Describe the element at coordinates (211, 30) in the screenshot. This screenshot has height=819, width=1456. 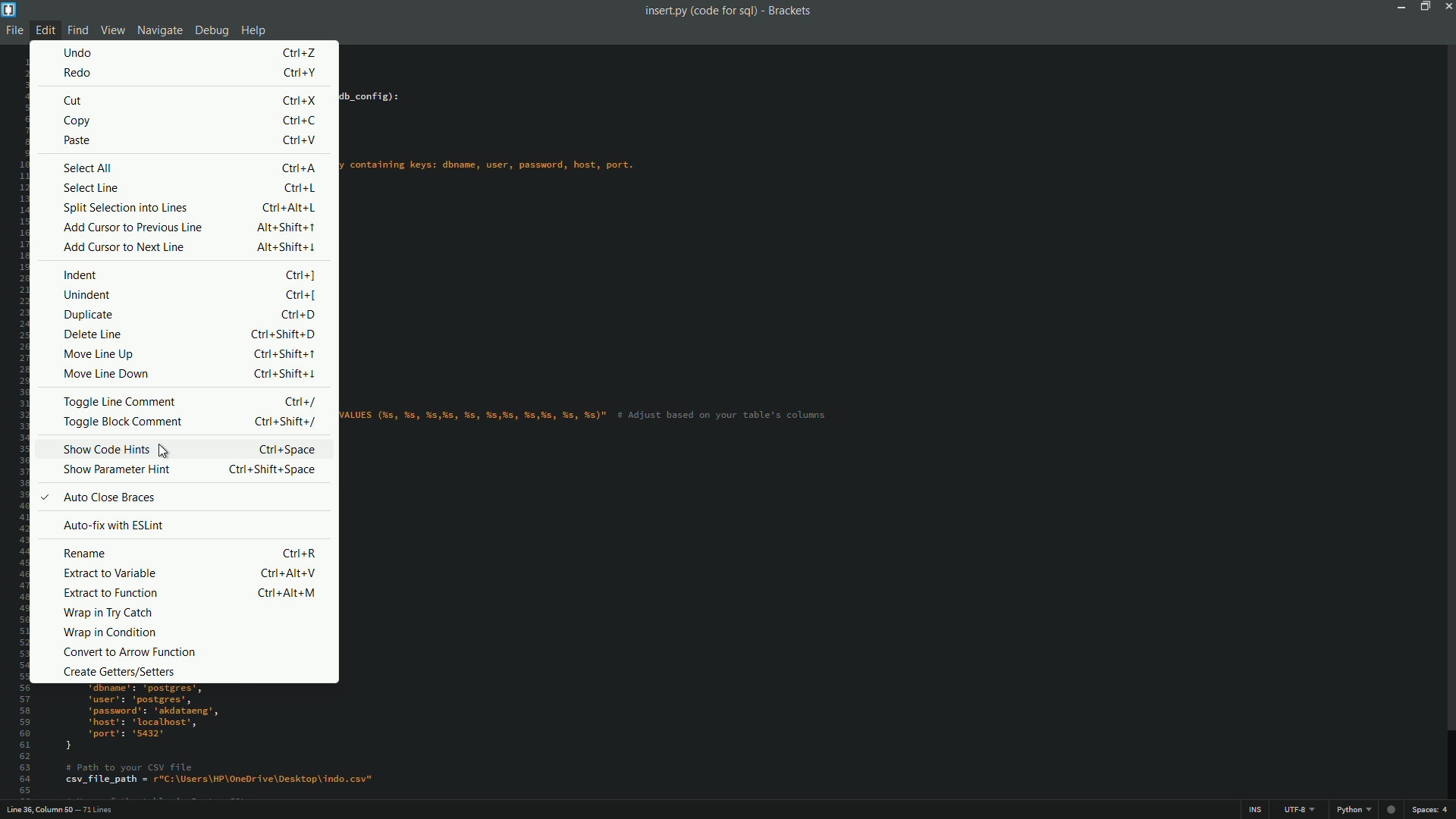
I see `debug menu` at that location.